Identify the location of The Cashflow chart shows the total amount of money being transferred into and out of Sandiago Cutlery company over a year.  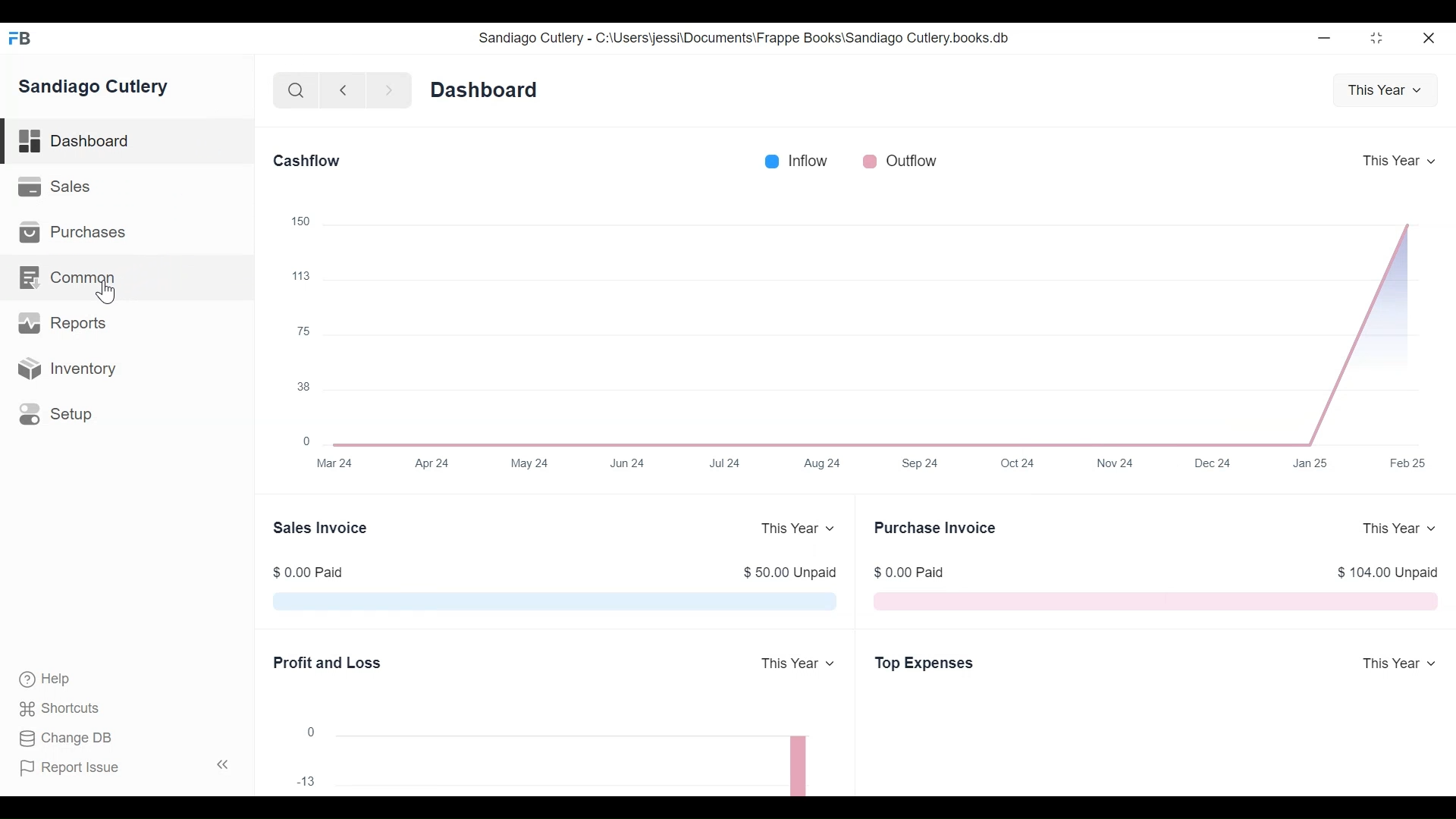
(874, 331).